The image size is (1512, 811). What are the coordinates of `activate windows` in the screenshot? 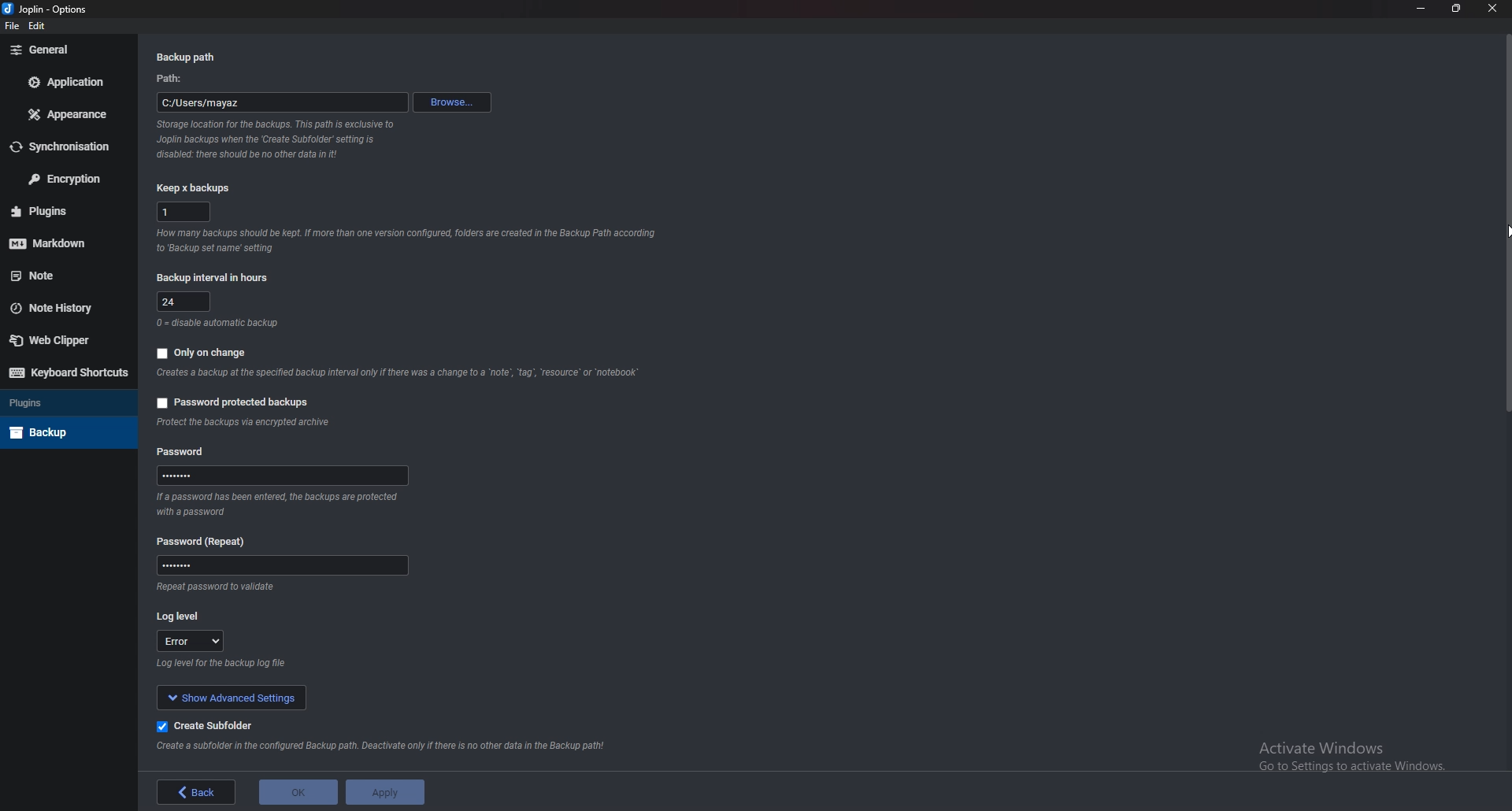 It's located at (1360, 753).